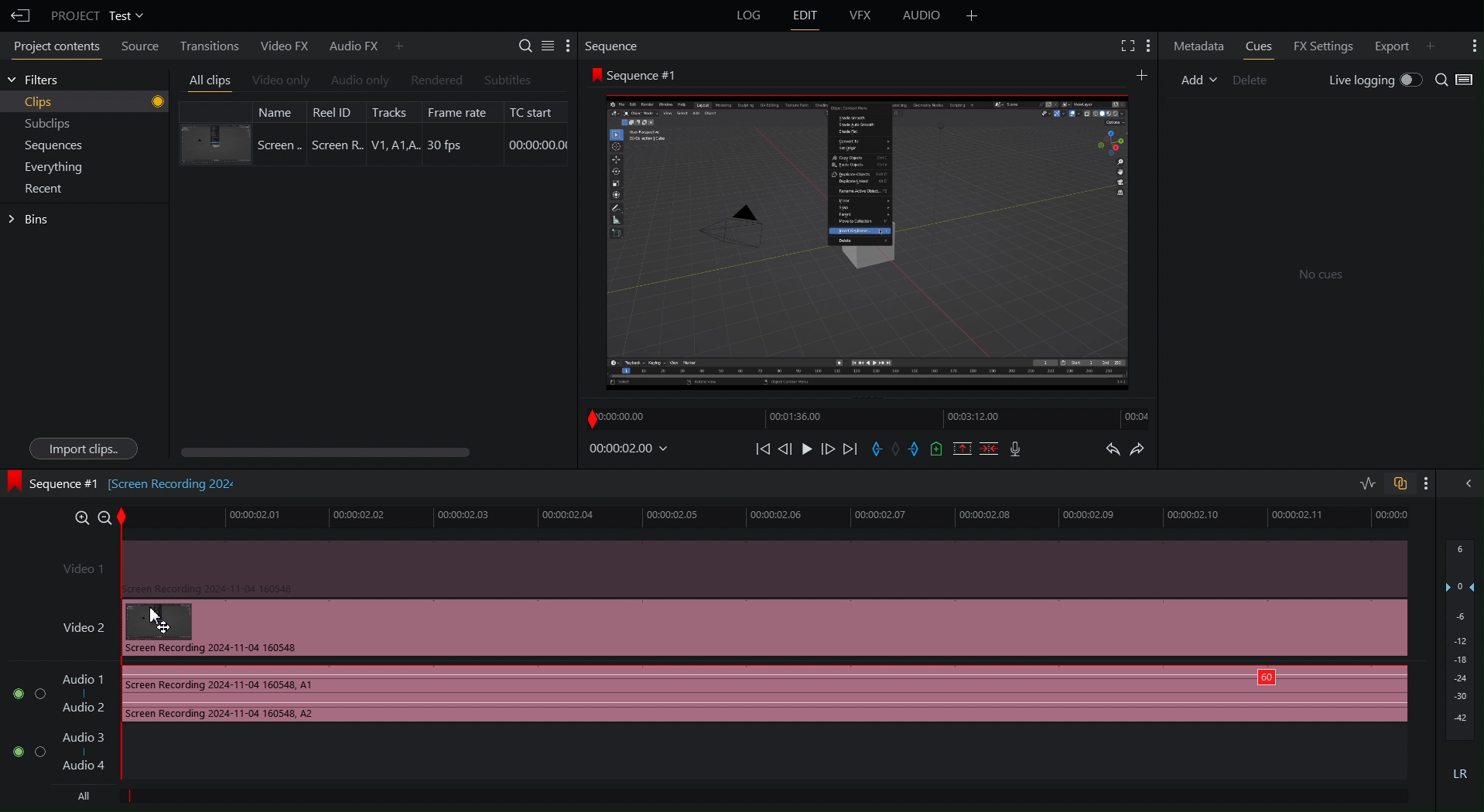  I want to click on Add, so click(970, 16).